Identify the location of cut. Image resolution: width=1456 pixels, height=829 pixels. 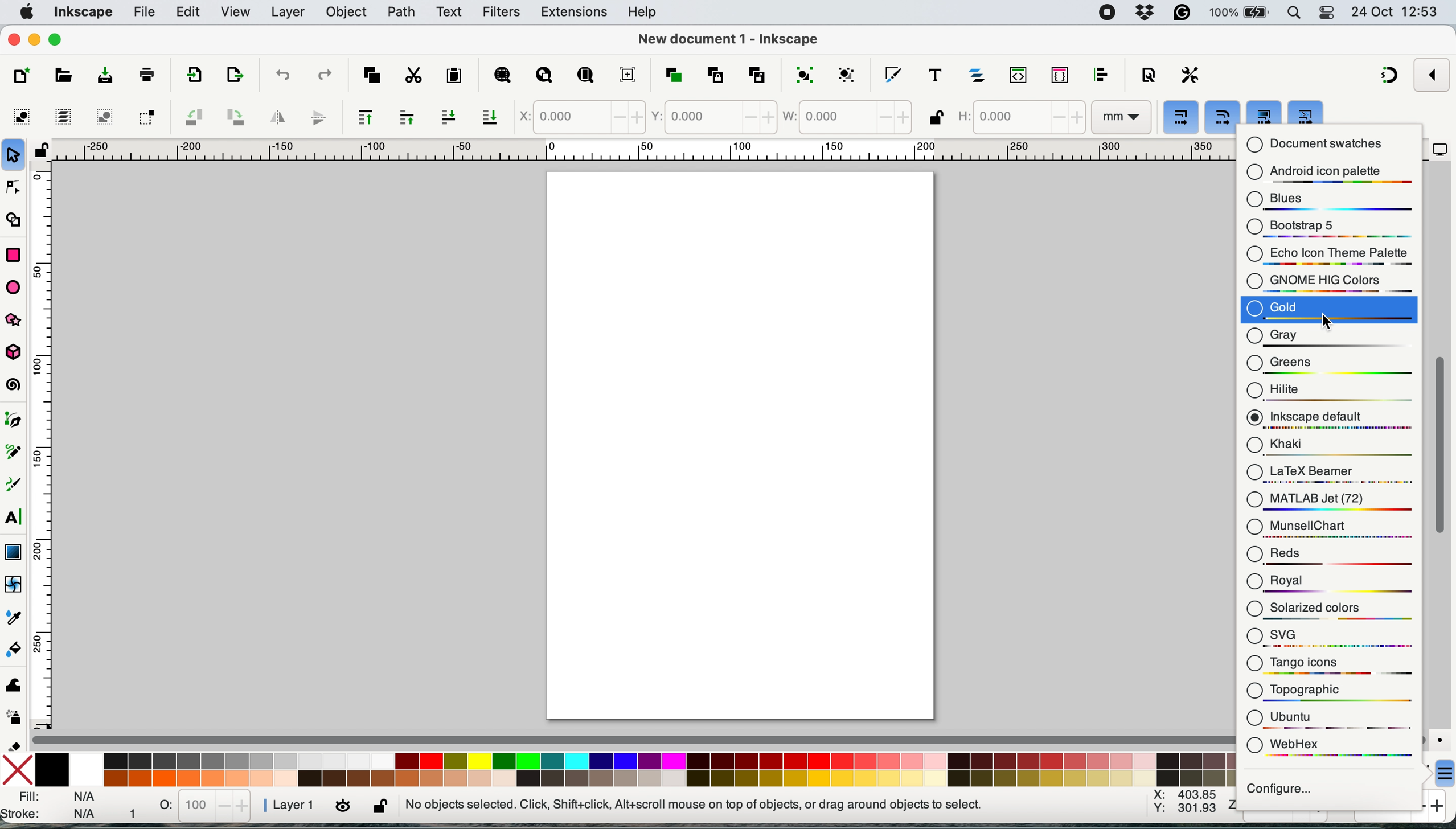
(412, 76).